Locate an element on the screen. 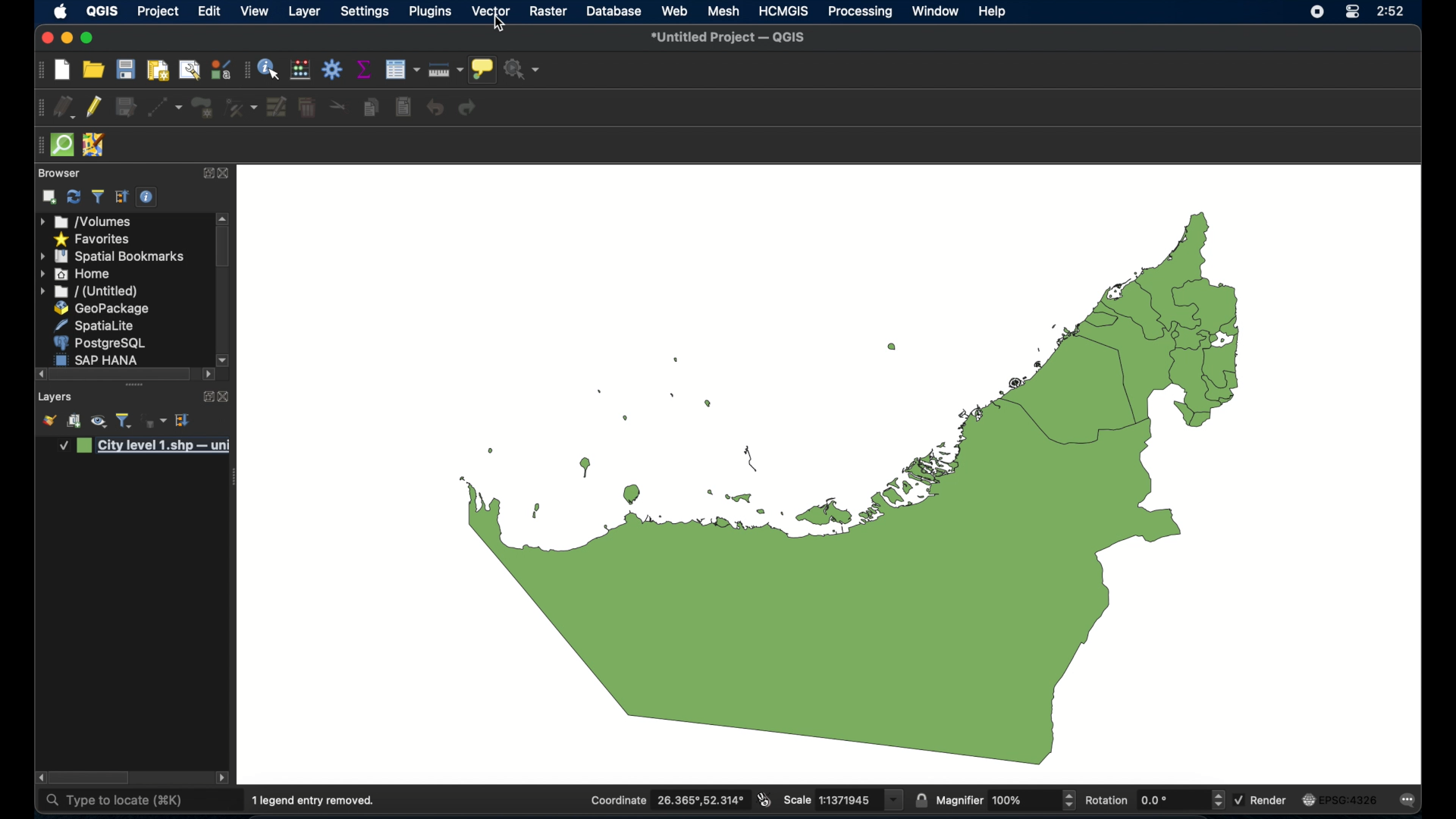  expand is located at coordinates (204, 395).